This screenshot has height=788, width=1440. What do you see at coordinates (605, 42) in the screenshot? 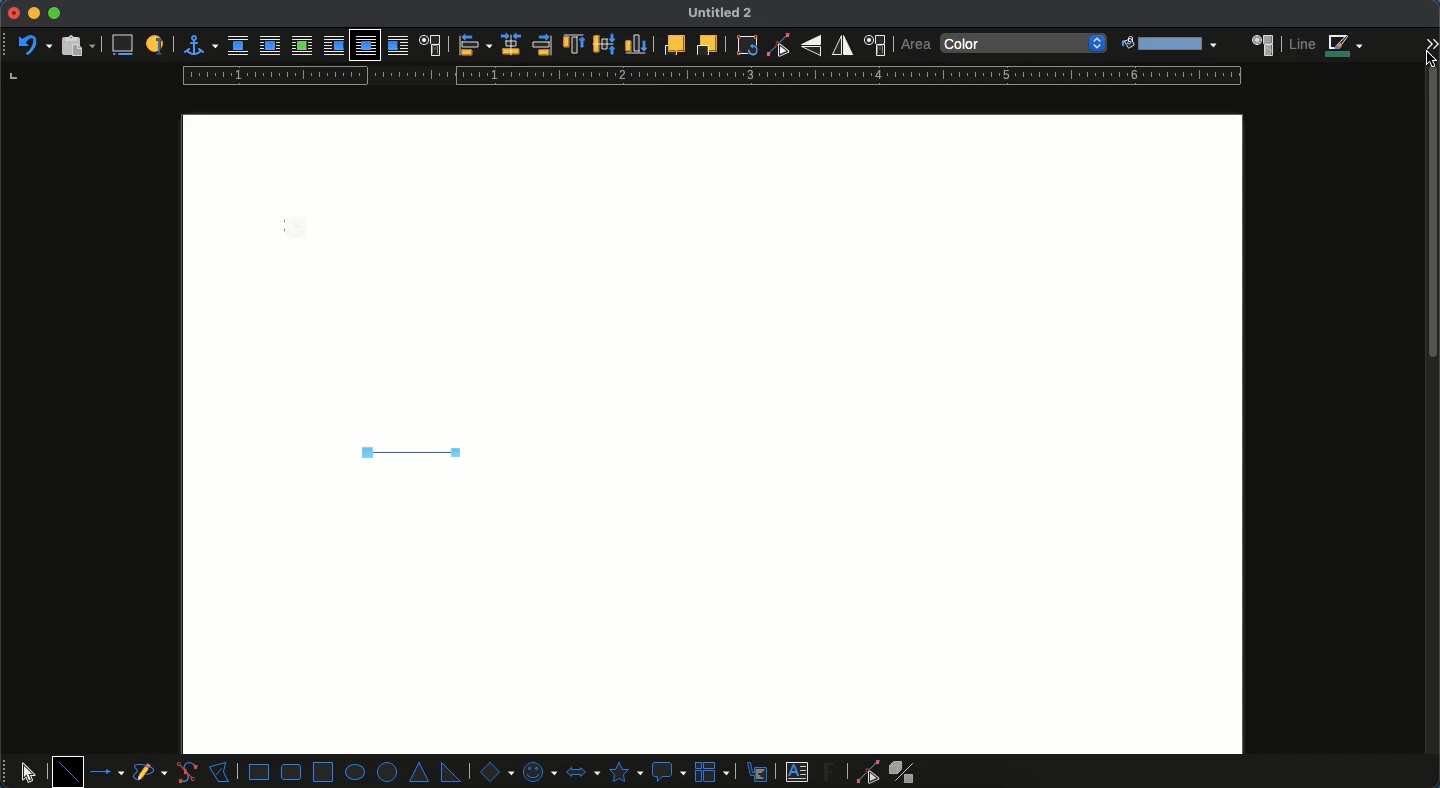
I see `center` at bounding box center [605, 42].